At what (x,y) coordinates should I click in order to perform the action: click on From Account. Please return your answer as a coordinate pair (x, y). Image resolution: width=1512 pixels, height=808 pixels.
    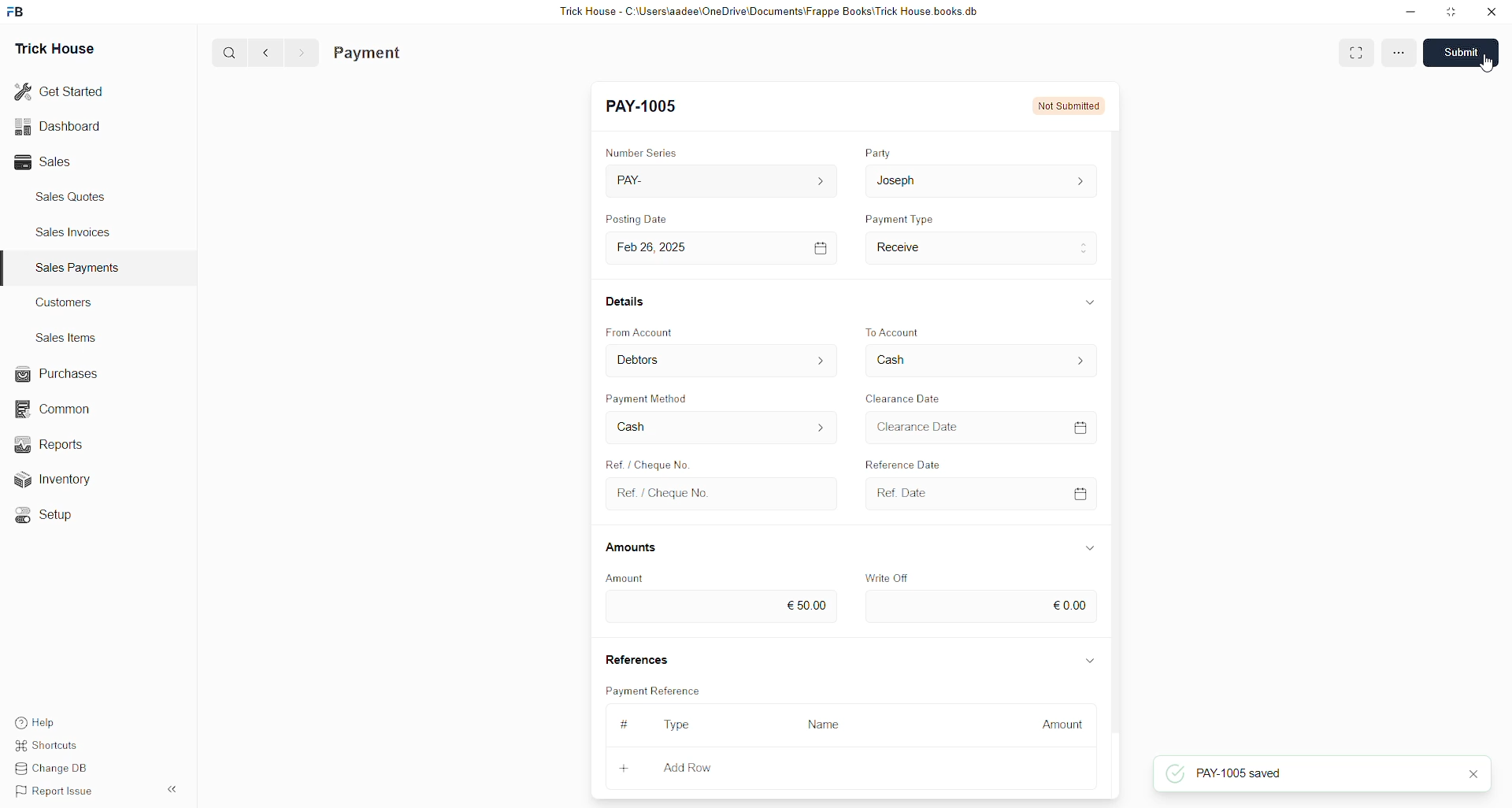
    Looking at the image, I should click on (640, 332).